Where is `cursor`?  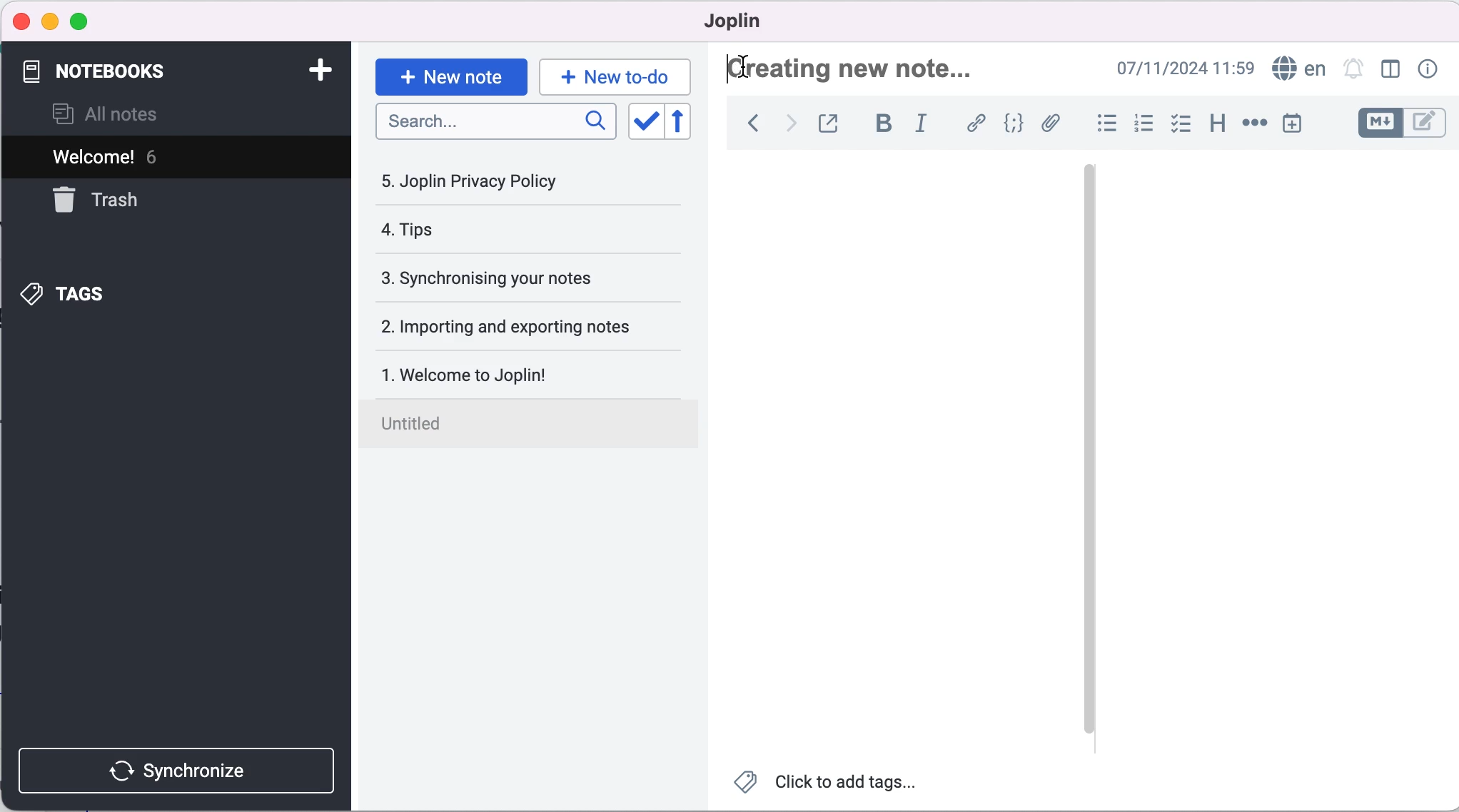
cursor is located at coordinates (750, 66).